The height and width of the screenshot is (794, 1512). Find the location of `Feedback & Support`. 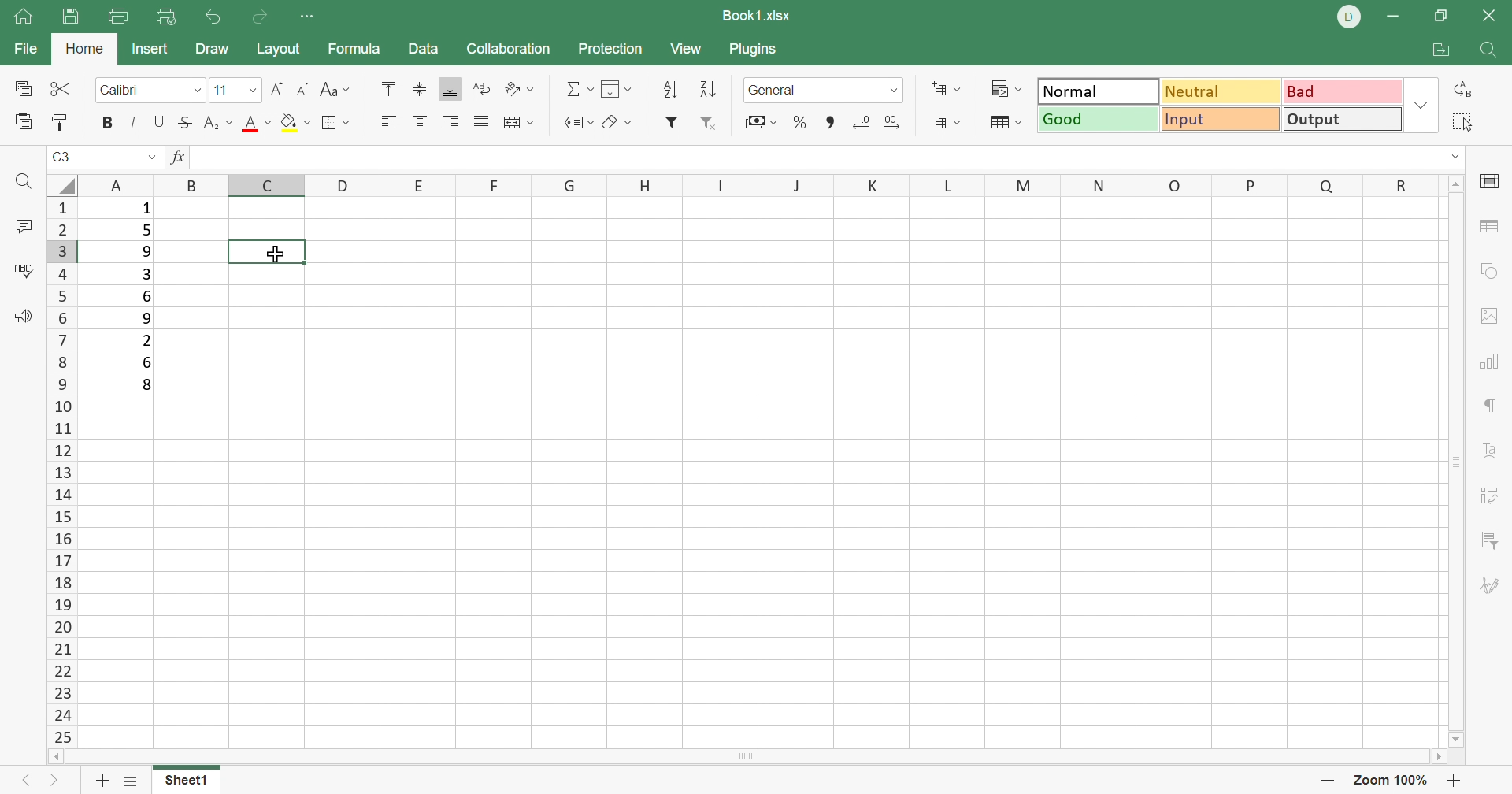

Feedback & Support is located at coordinates (23, 317).